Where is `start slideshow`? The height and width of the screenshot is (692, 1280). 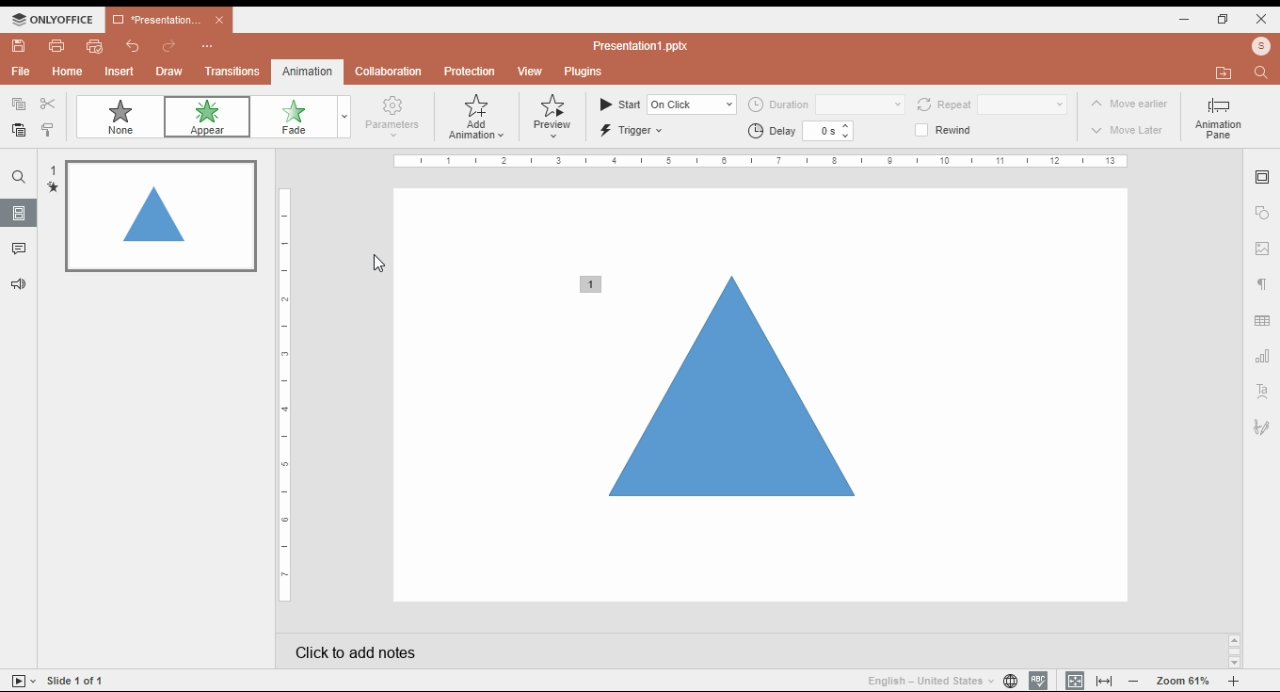
start slideshow is located at coordinates (24, 680).